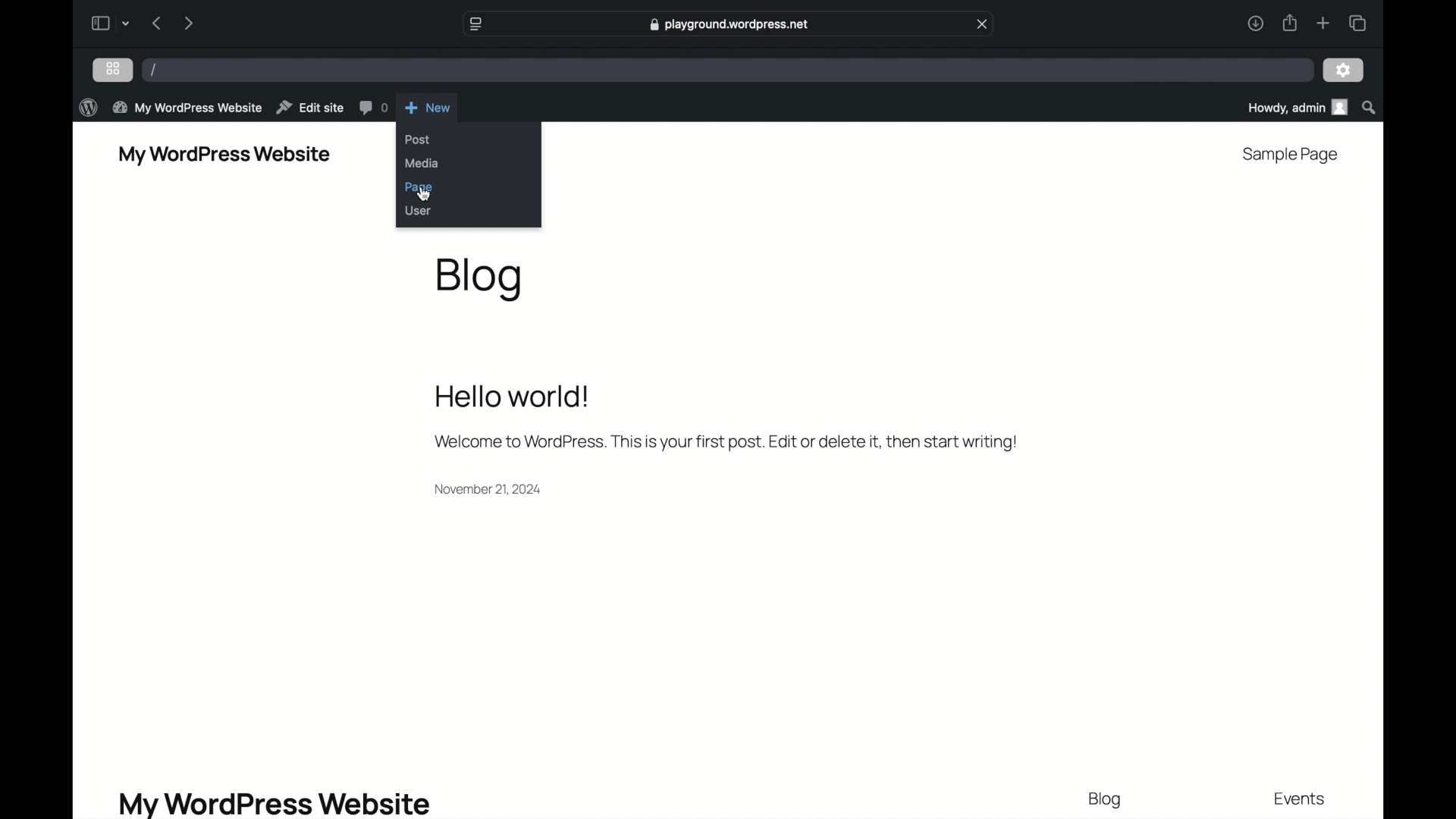 Image resolution: width=1456 pixels, height=819 pixels. I want to click on hello world!, so click(513, 395).